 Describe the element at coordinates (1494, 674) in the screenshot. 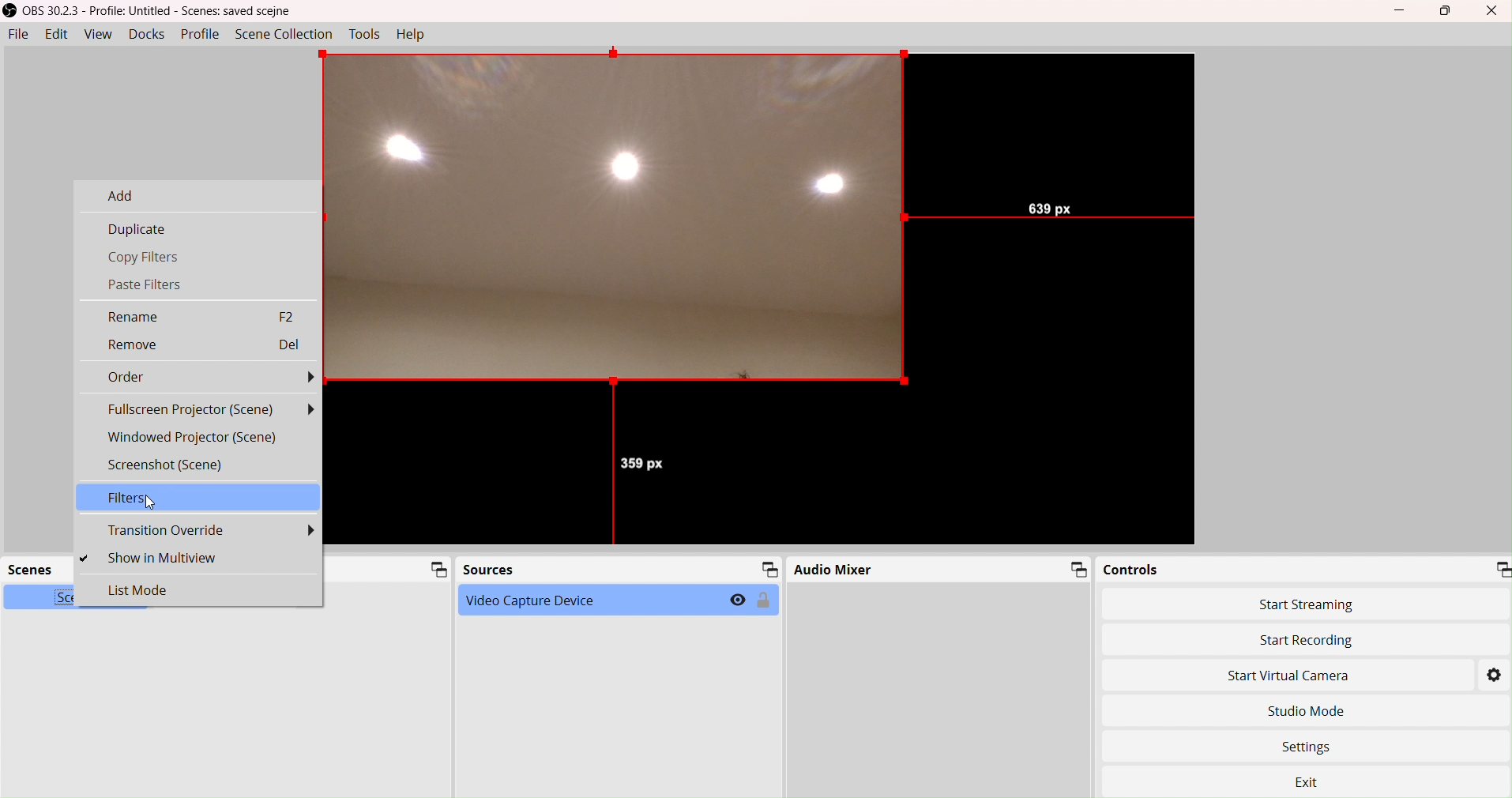

I see `Settings` at that location.